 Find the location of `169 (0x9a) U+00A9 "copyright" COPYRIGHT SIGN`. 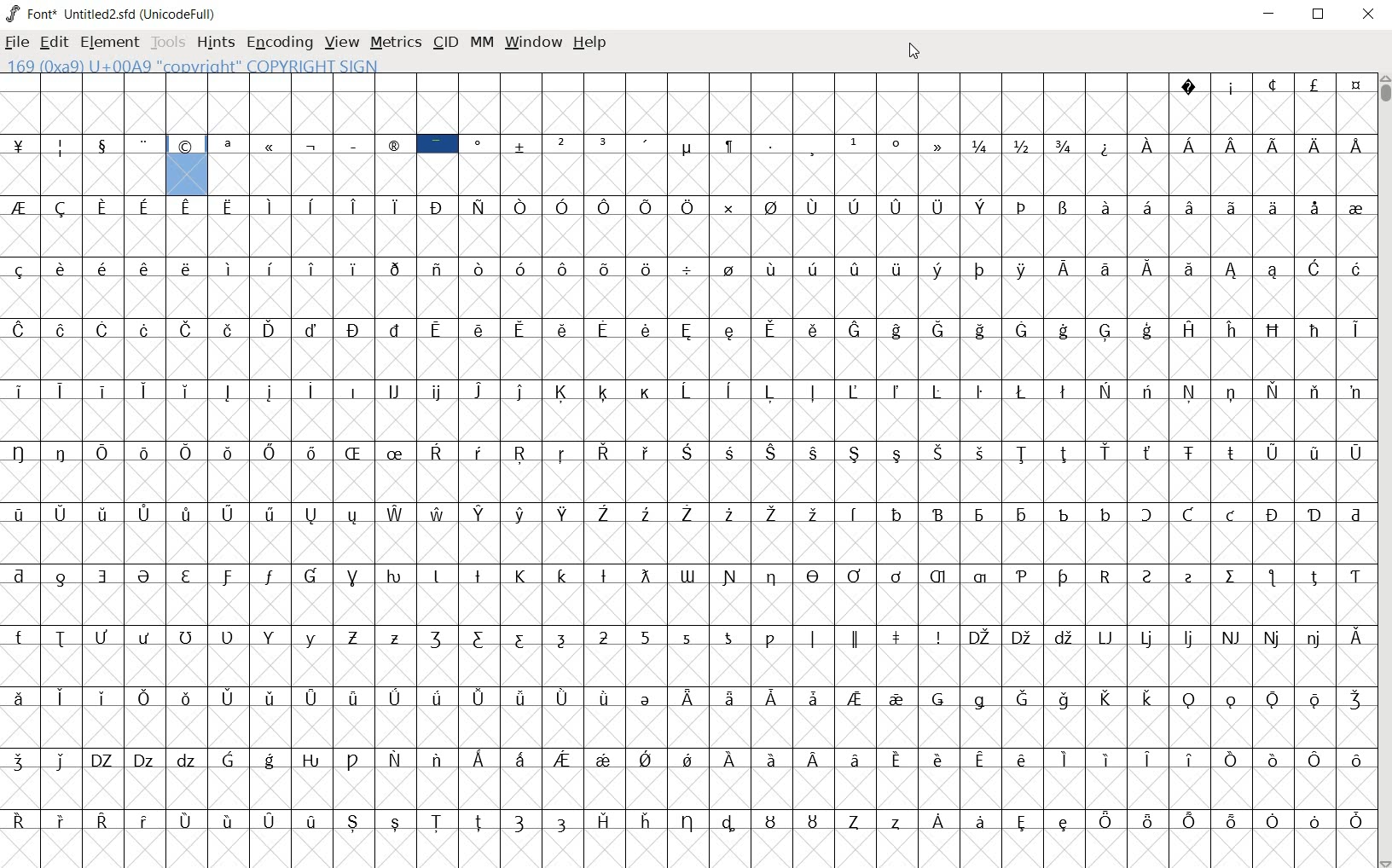

169 (0x9a) U+00A9 "copyright" COPYRIGHT SIGN is located at coordinates (274, 66).